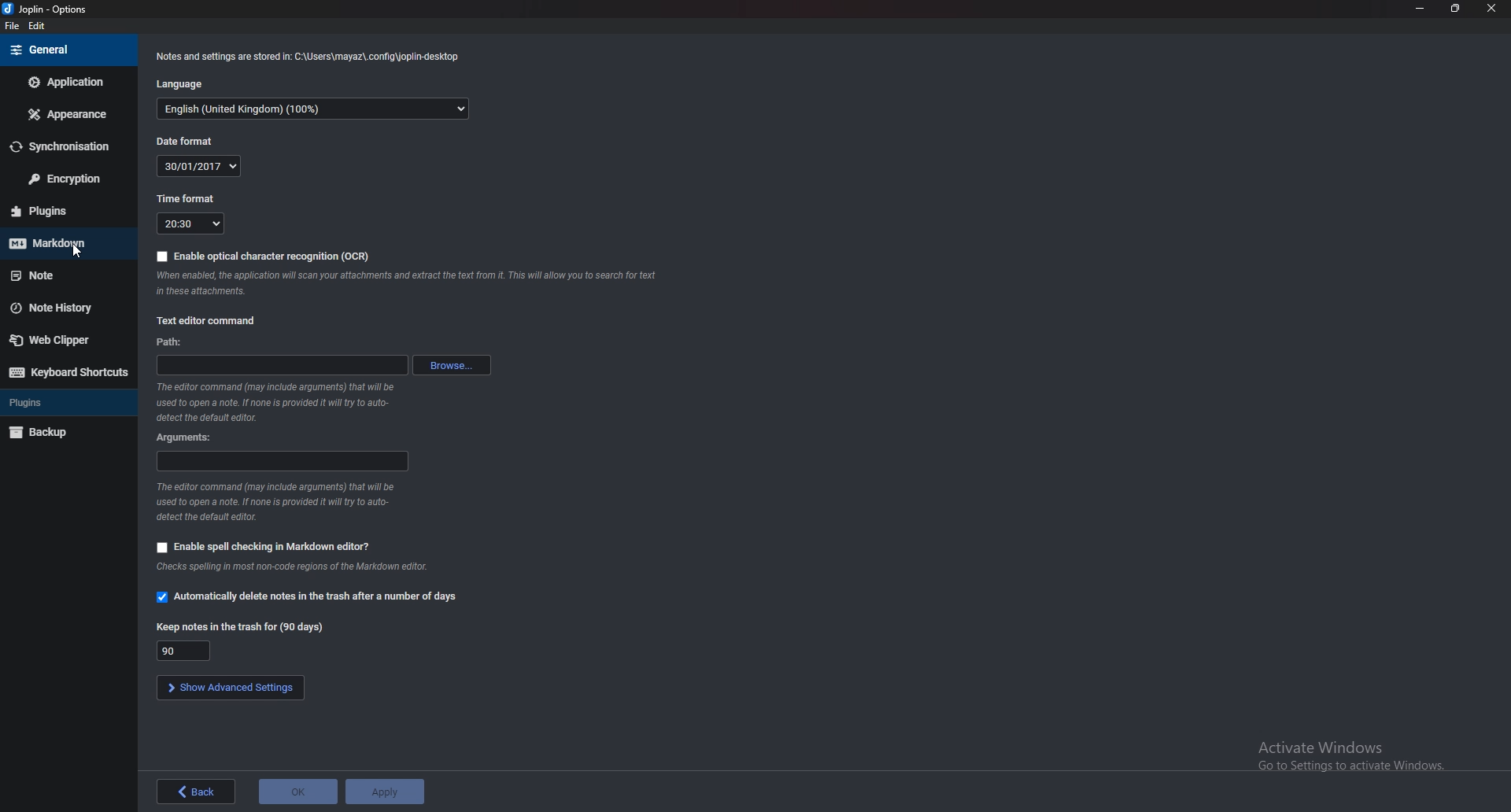  What do you see at coordinates (38, 25) in the screenshot?
I see `edit` at bounding box center [38, 25].